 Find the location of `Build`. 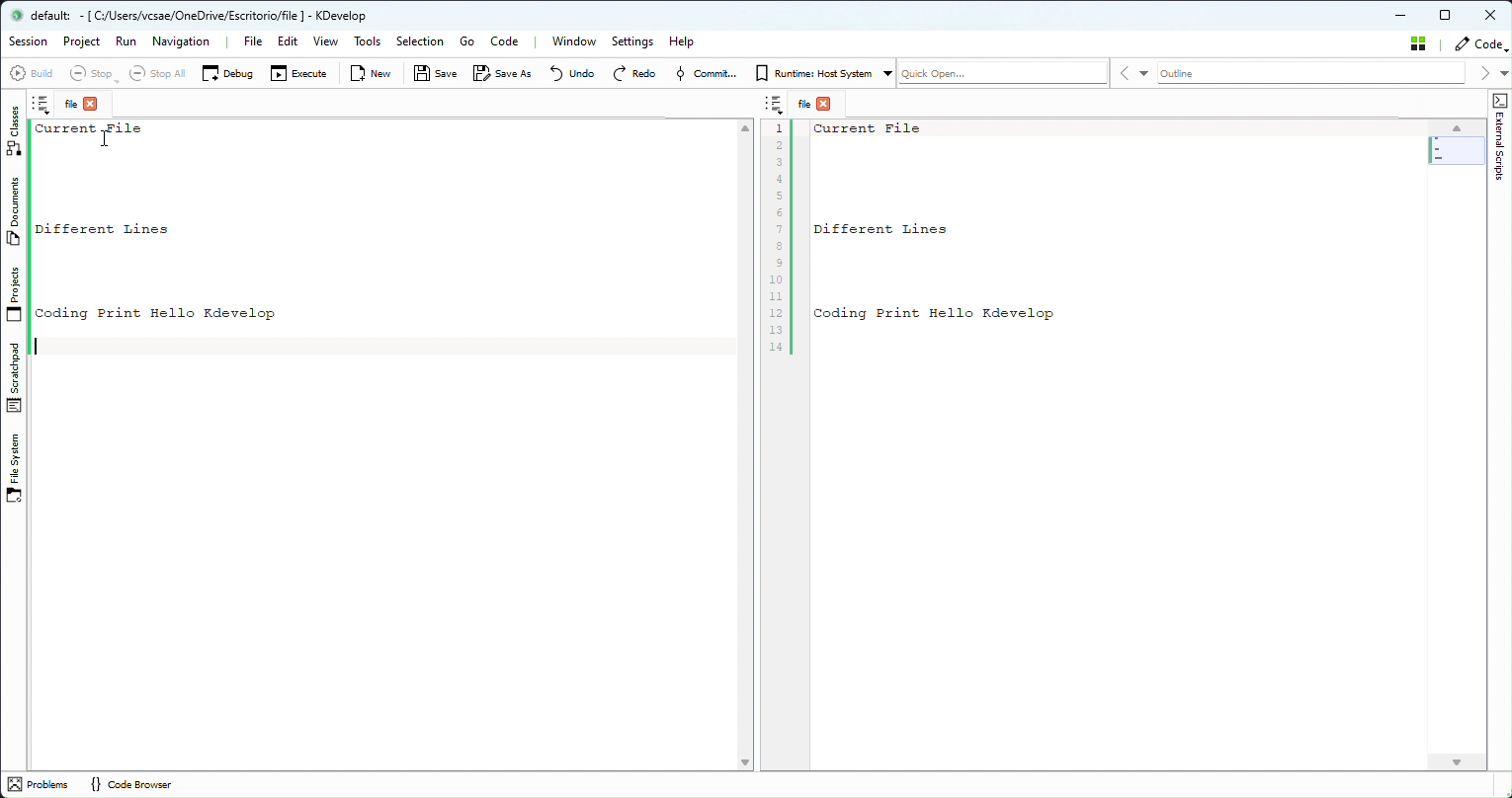

Build is located at coordinates (33, 73).